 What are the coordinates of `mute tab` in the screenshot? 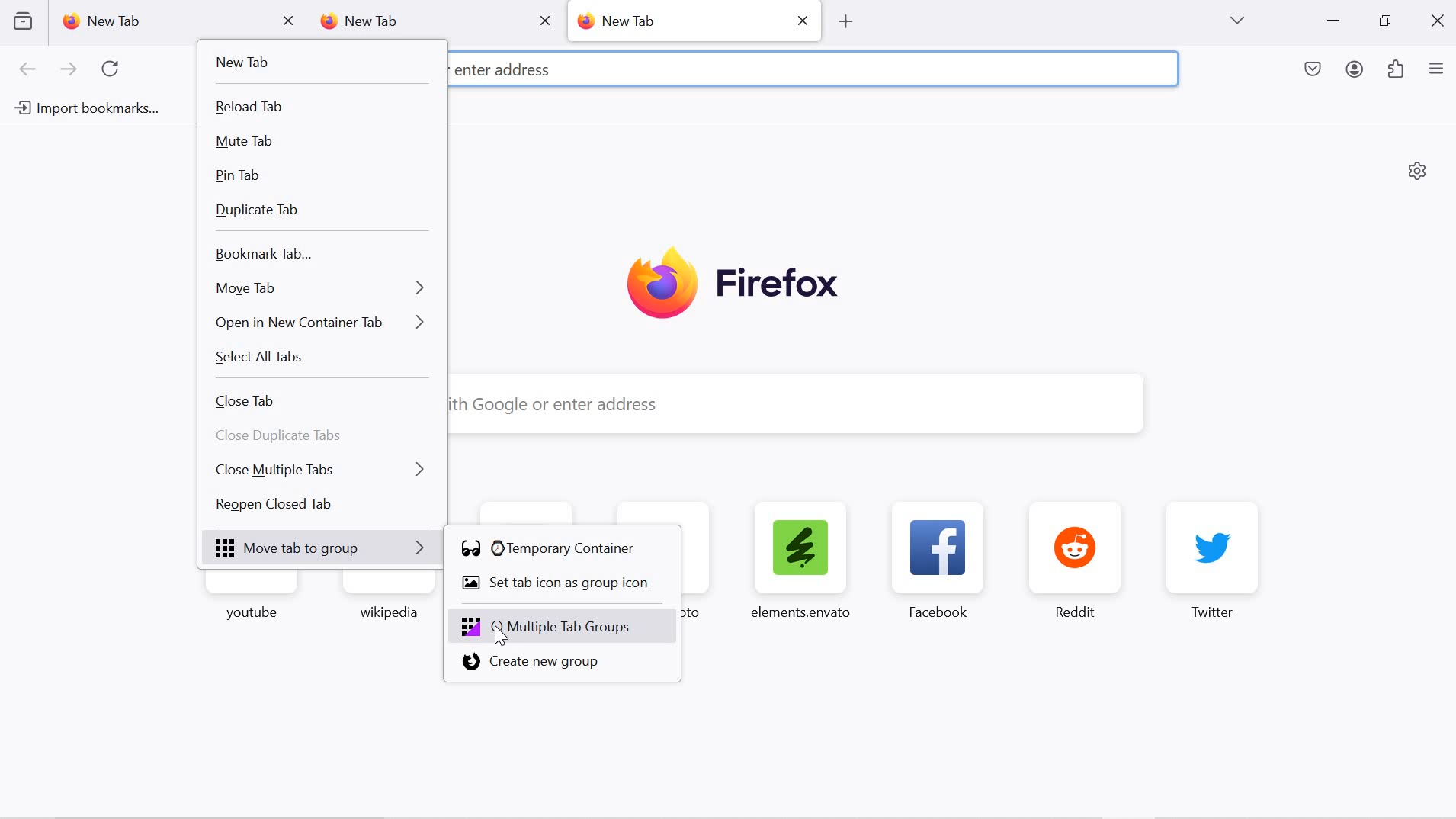 It's located at (320, 143).